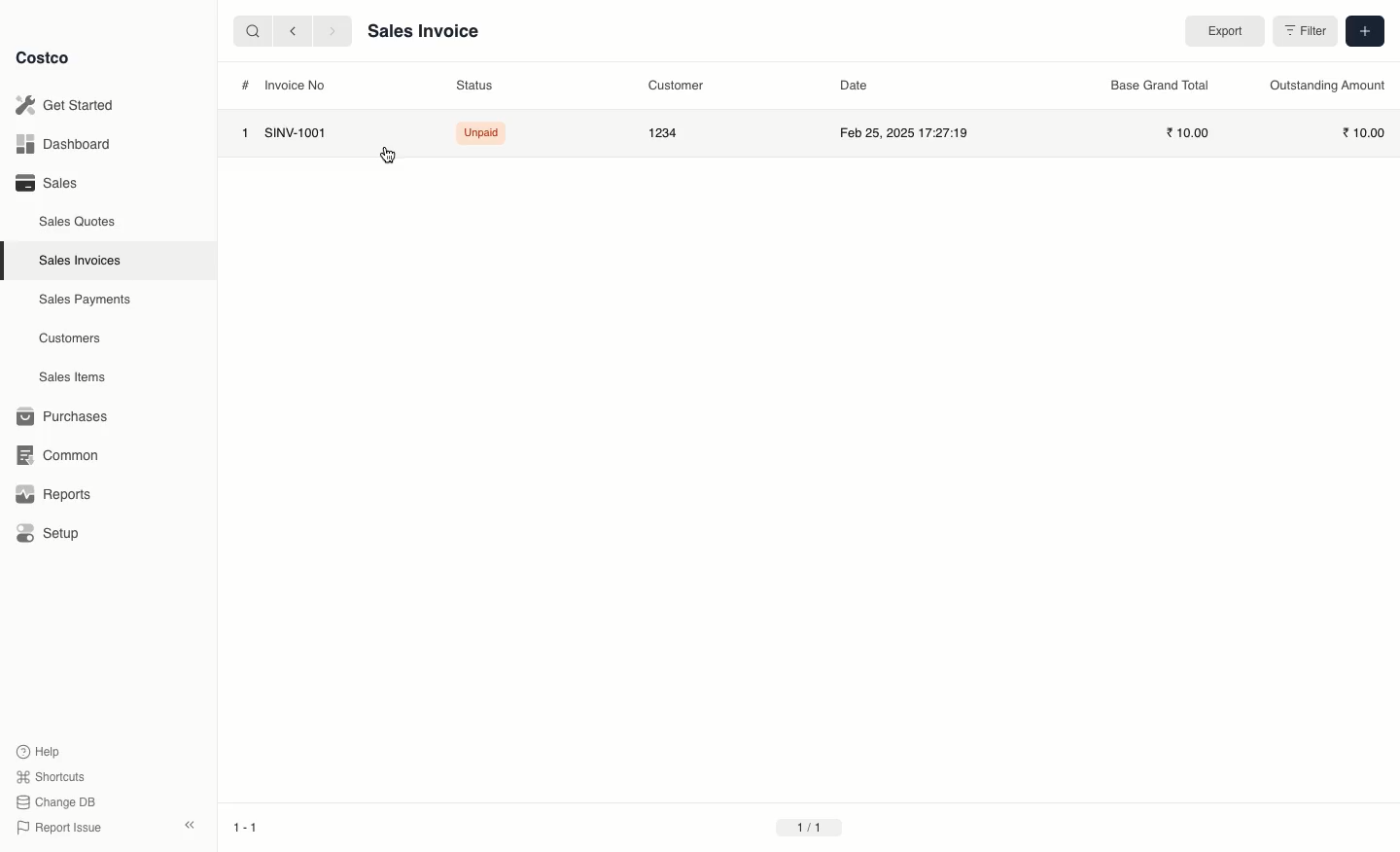 The image size is (1400, 852). I want to click on Add, so click(1364, 31).